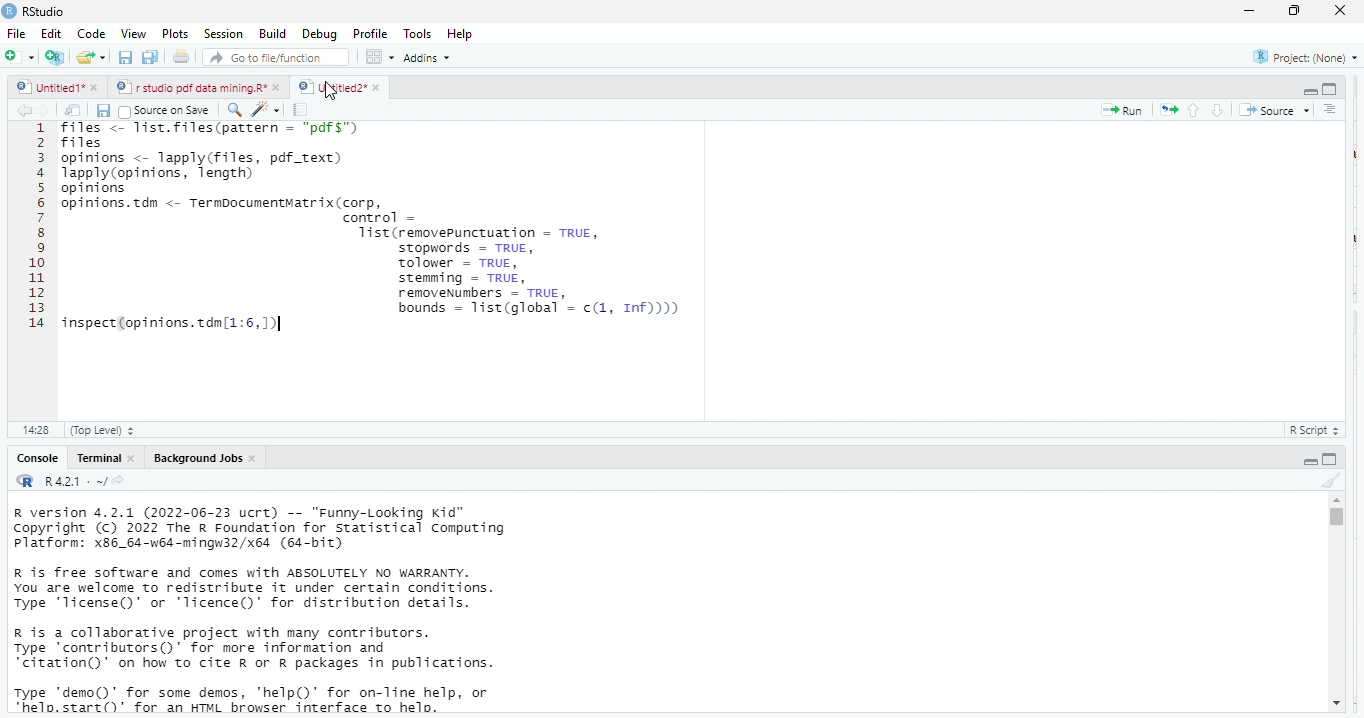 This screenshot has width=1364, height=718. Describe the element at coordinates (278, 88) in the screenshot. I see `close` at that location.